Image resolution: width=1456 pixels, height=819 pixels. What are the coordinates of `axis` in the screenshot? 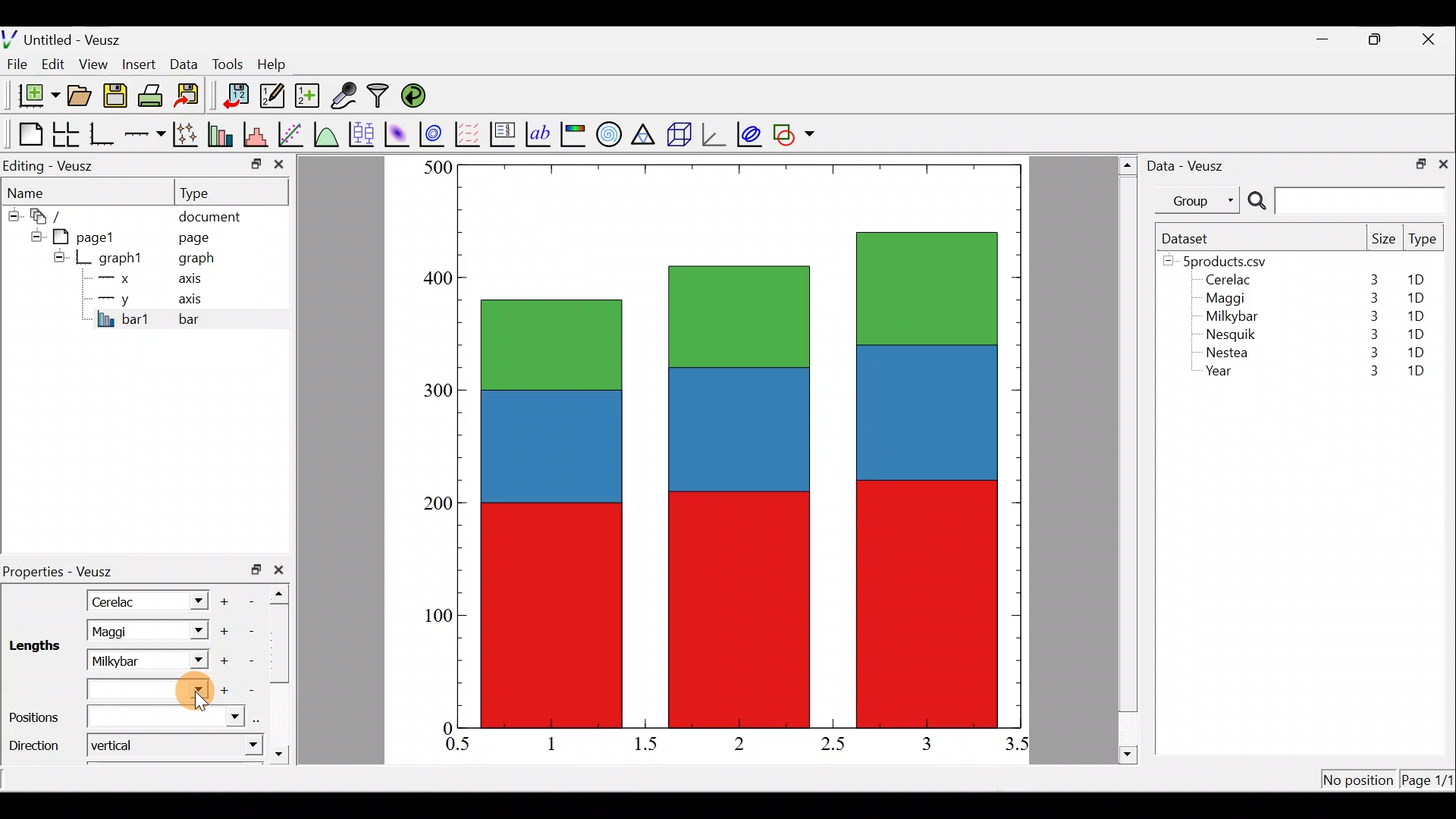 It's located at (195, 281).